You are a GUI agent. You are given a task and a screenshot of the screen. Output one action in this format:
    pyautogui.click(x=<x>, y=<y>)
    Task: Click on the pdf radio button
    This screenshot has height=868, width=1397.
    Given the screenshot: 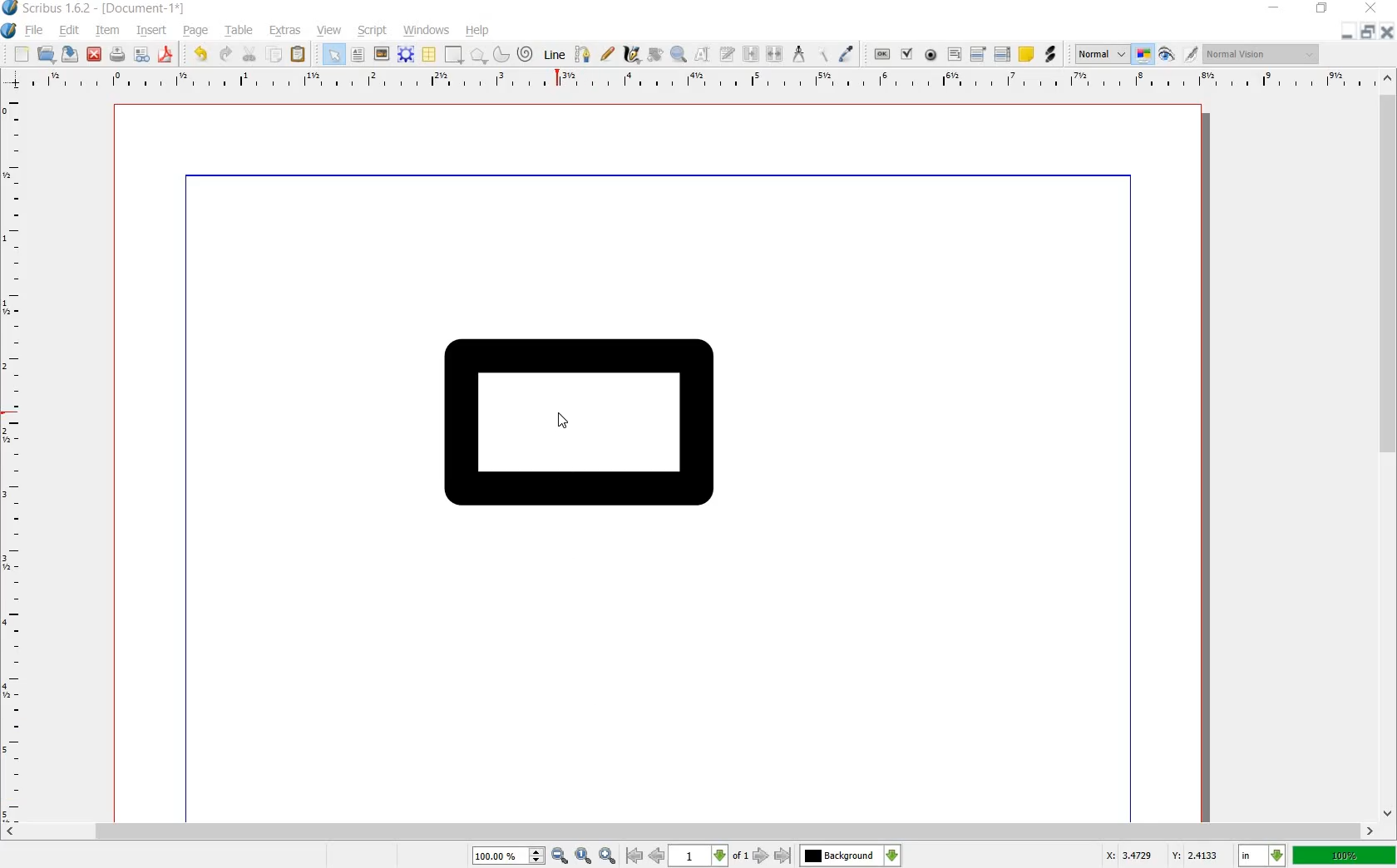 What is the action you would take?
    pyautogui.click(x=932, y=55)
    